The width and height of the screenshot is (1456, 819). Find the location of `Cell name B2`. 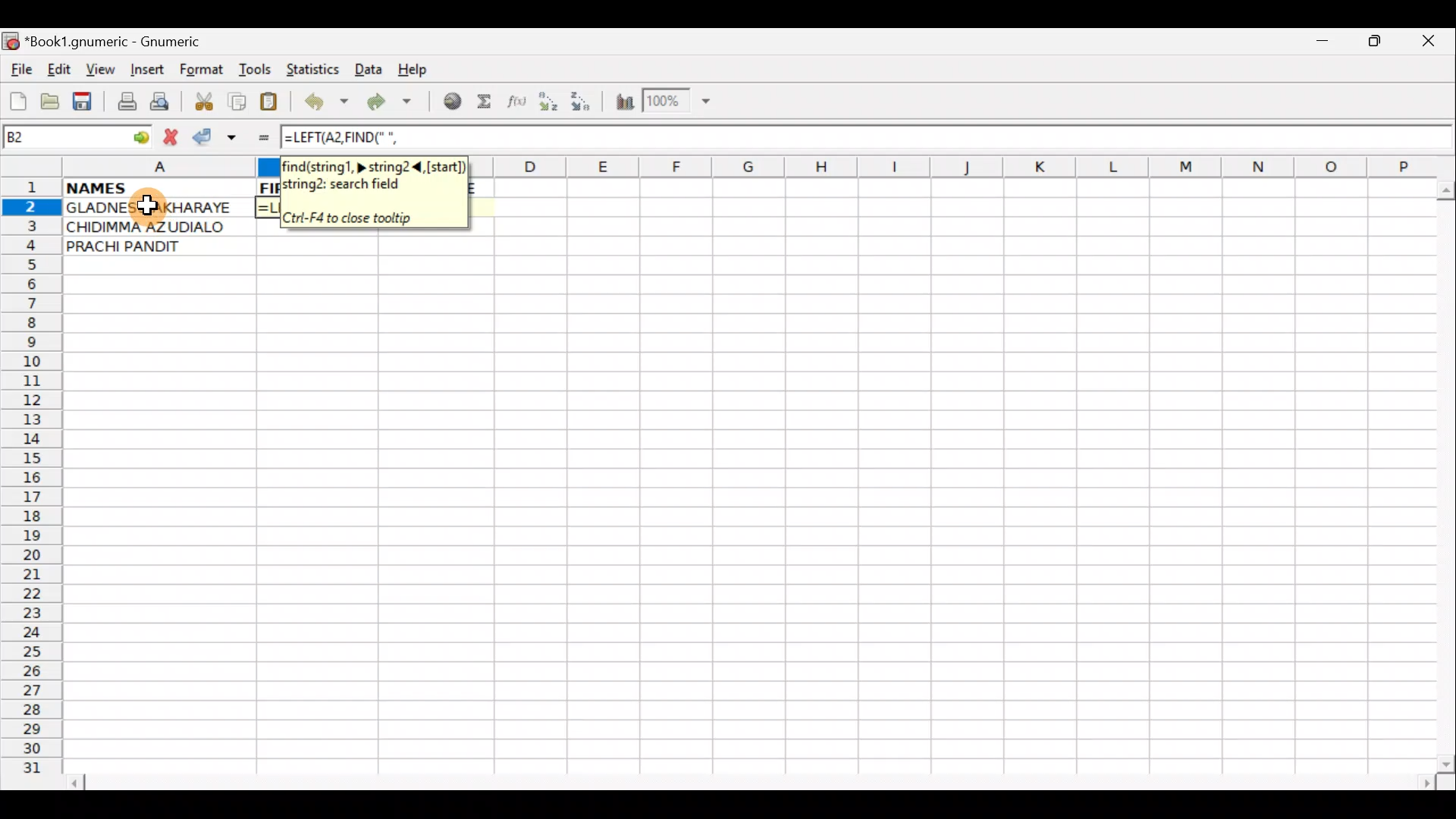

Cell name B2 is located at coordinates (58, 137).